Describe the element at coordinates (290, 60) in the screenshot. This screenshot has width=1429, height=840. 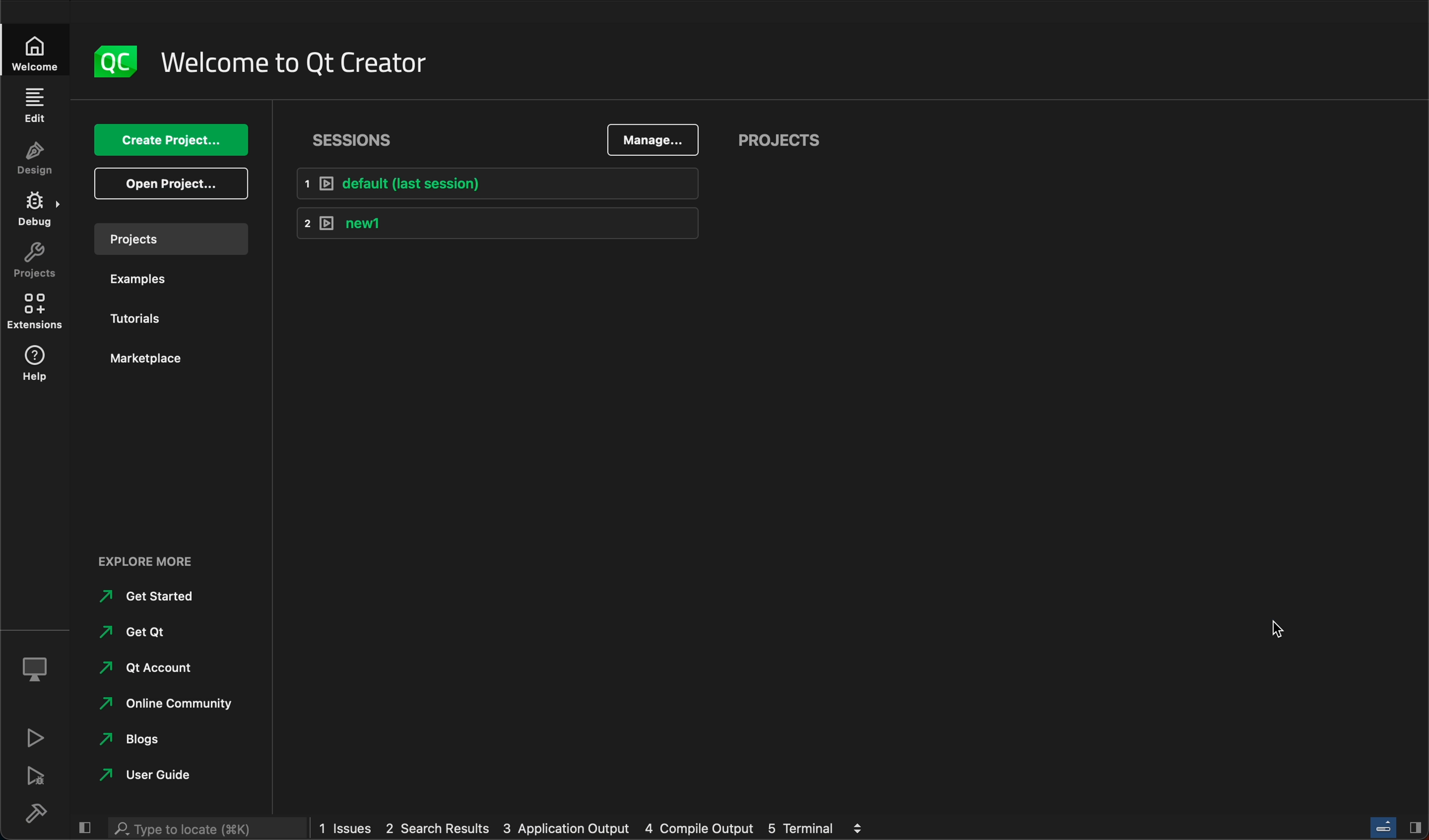
I see `welcome to qt creator` at that location.